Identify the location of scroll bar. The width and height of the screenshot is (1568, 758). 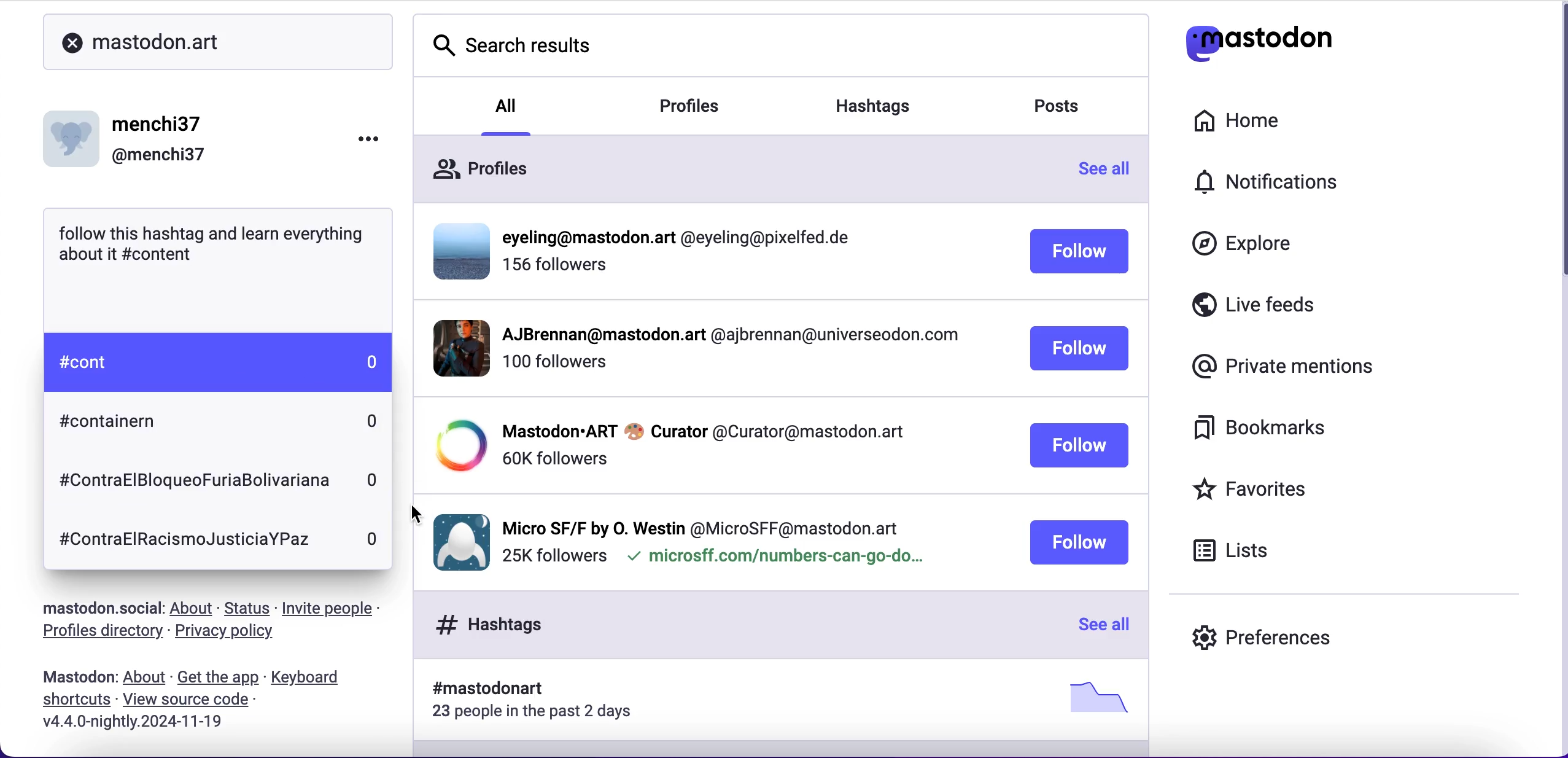
(1557, 147).